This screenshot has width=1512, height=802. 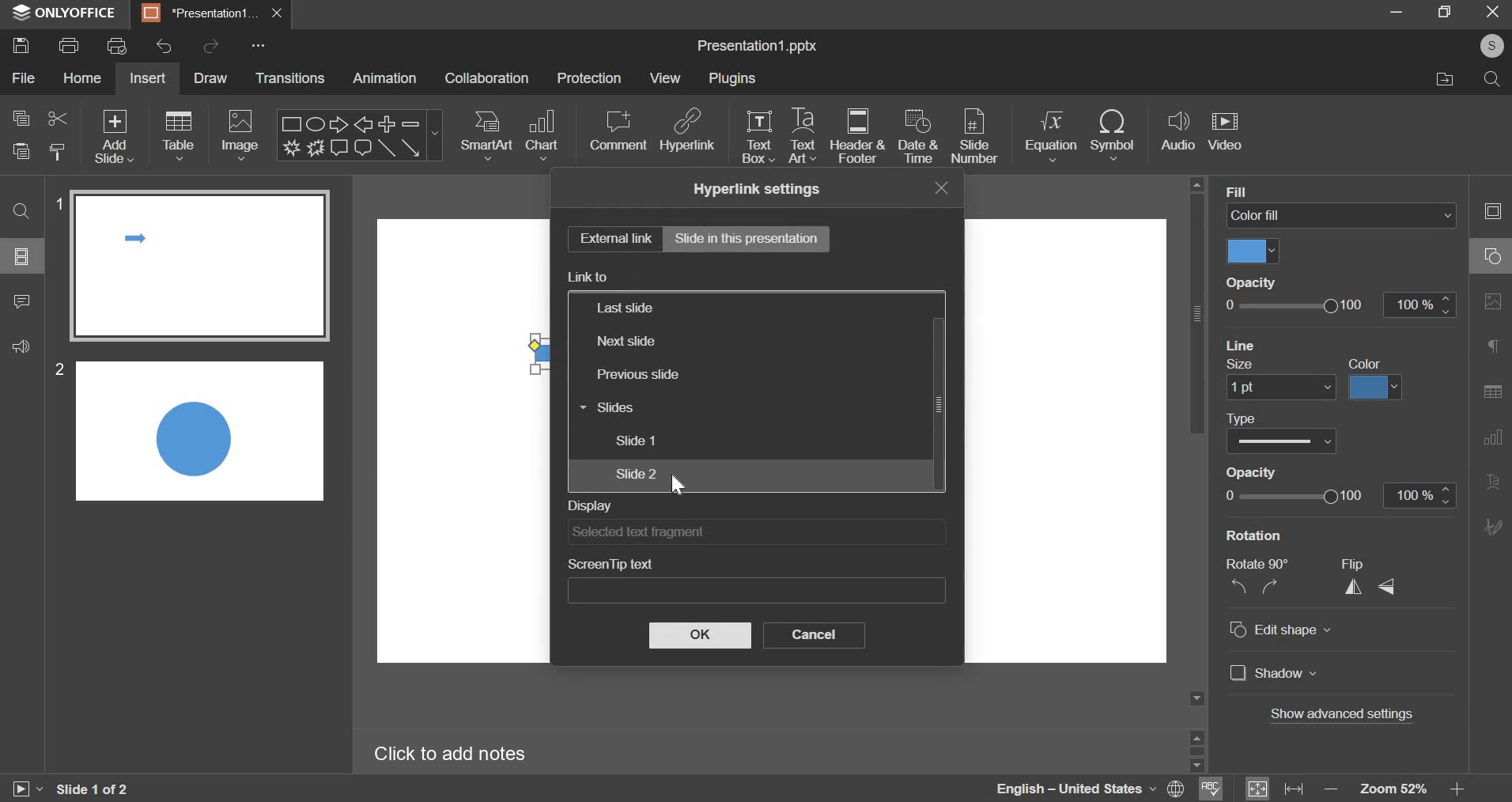 I want to click on ok, so click(x=698, y=634).